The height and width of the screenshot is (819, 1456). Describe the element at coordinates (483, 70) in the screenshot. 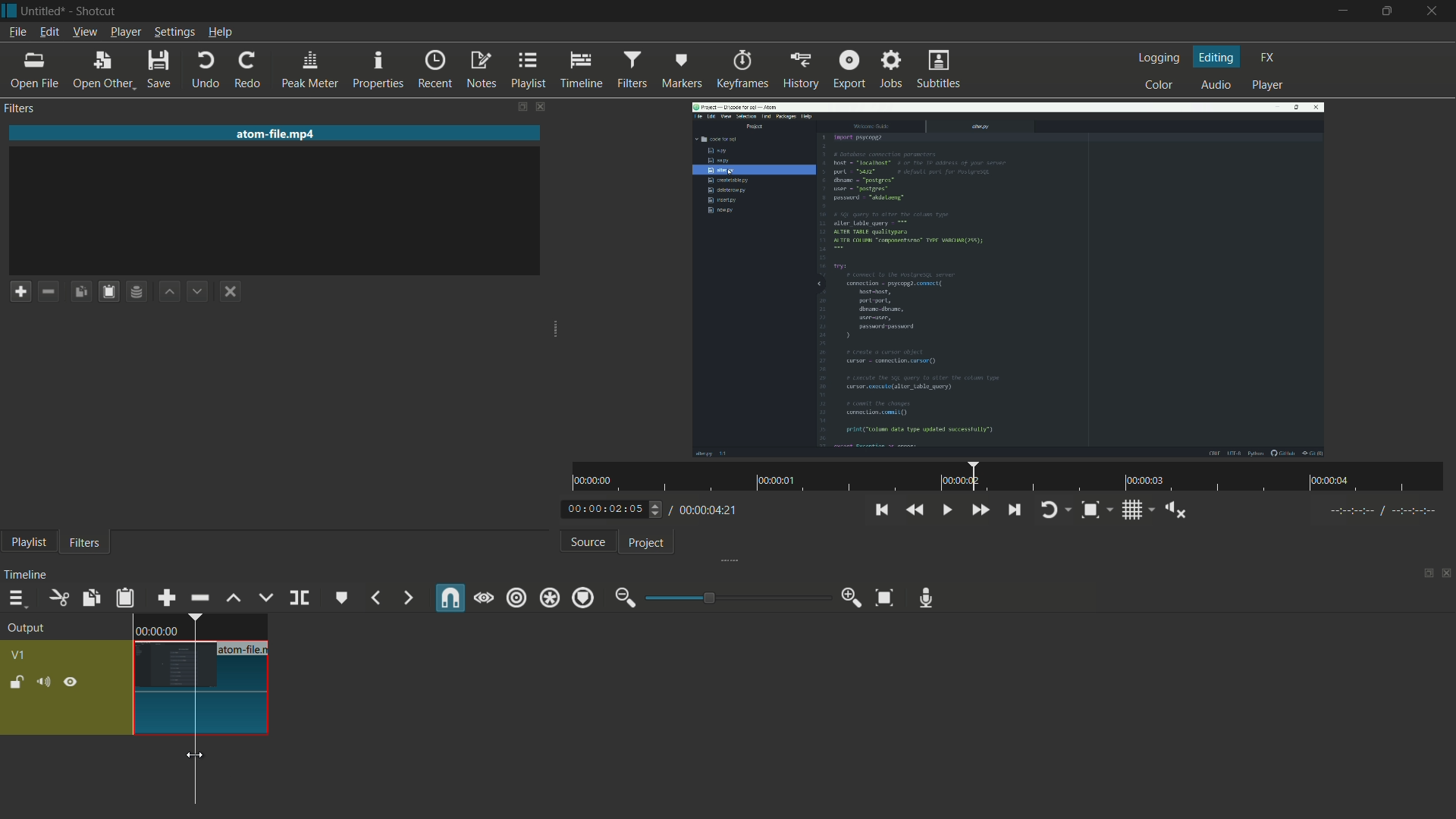

I see `notes` at that location.